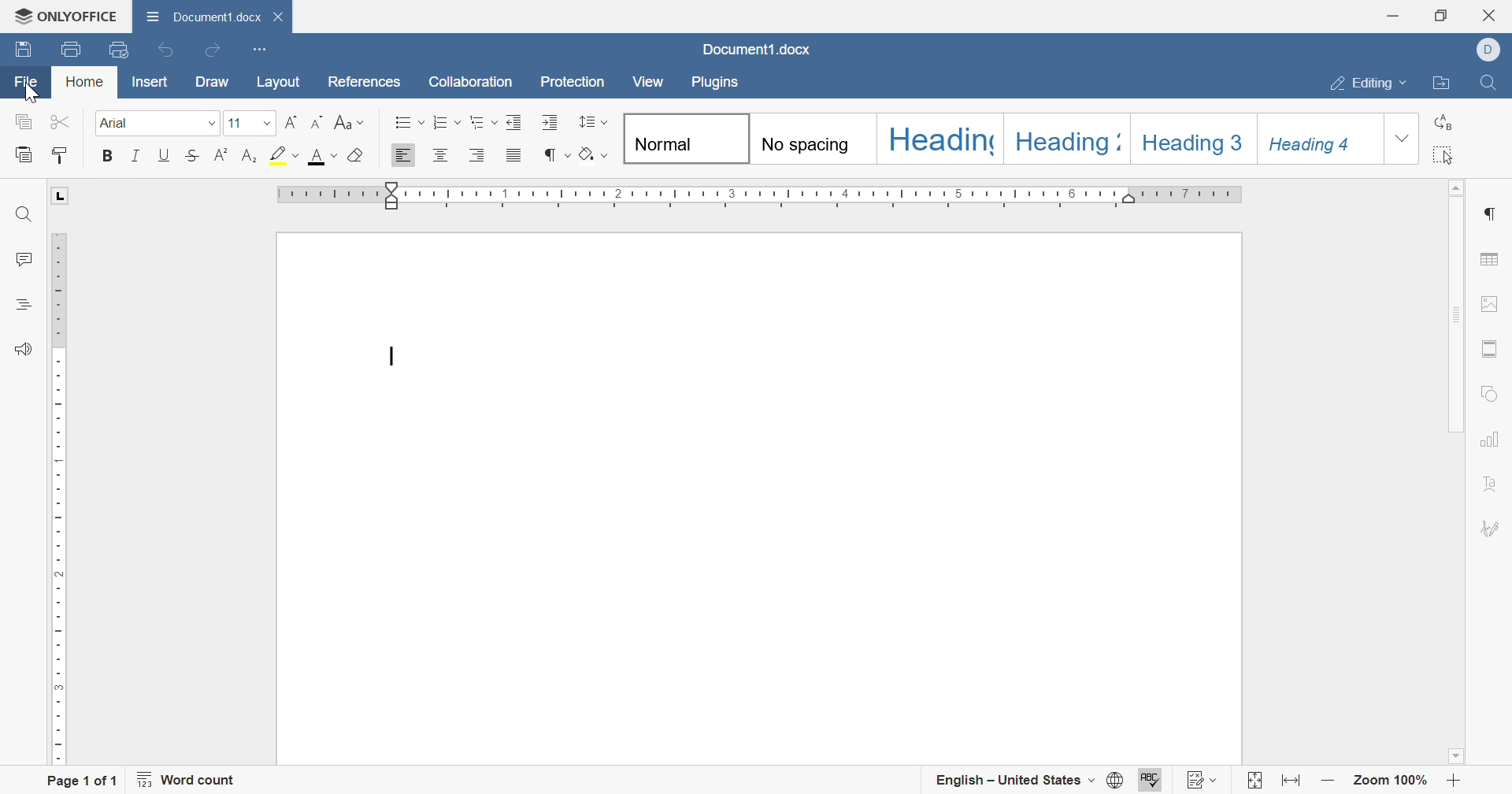 This screenshot has height=794, width=1512. What do you see at coordinates (571, 86) in the screenshot?
I see `protection` at bounding box center [571, 86].